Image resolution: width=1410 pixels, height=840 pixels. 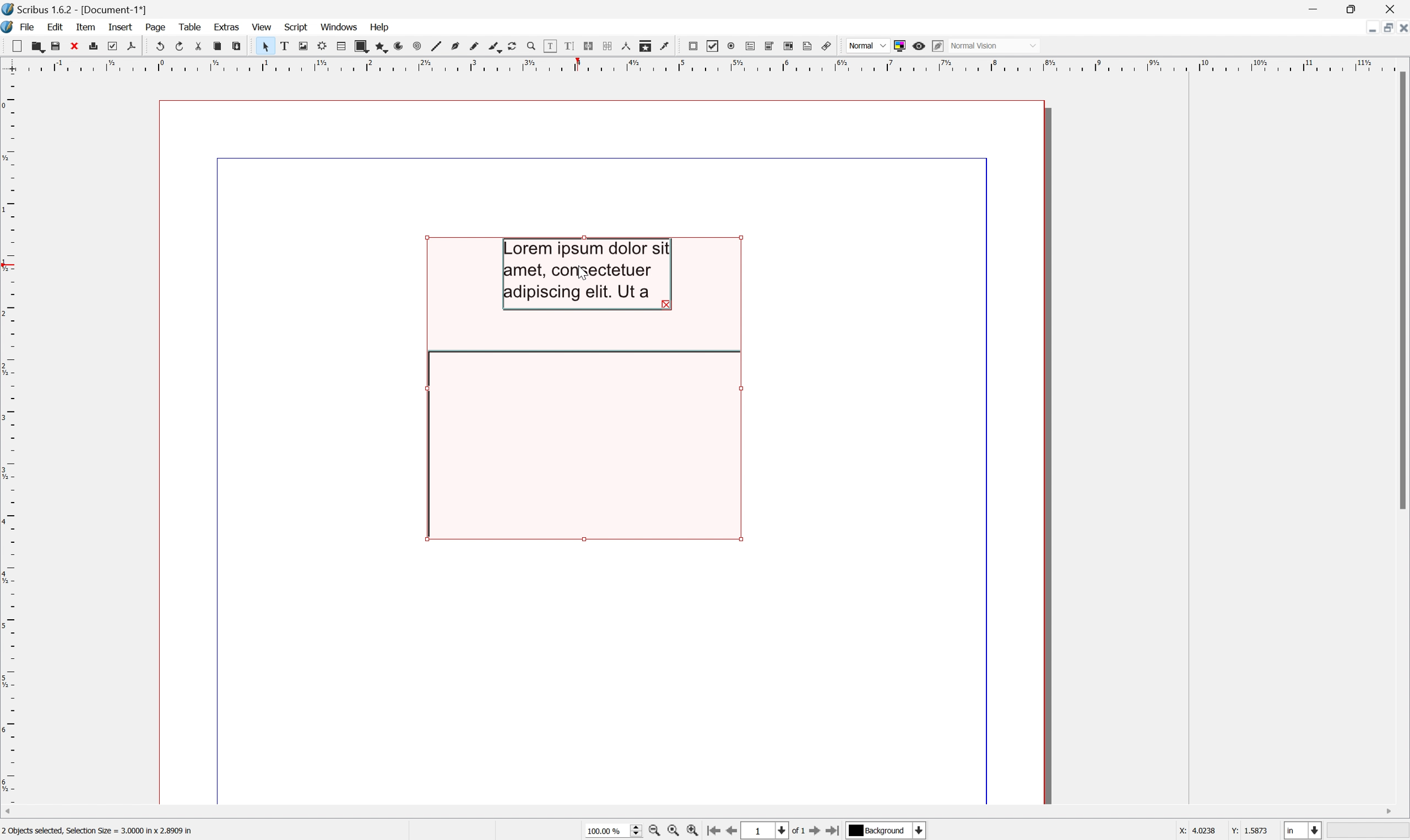 I want to click on Restore Down, so click(x=1351, y=7).